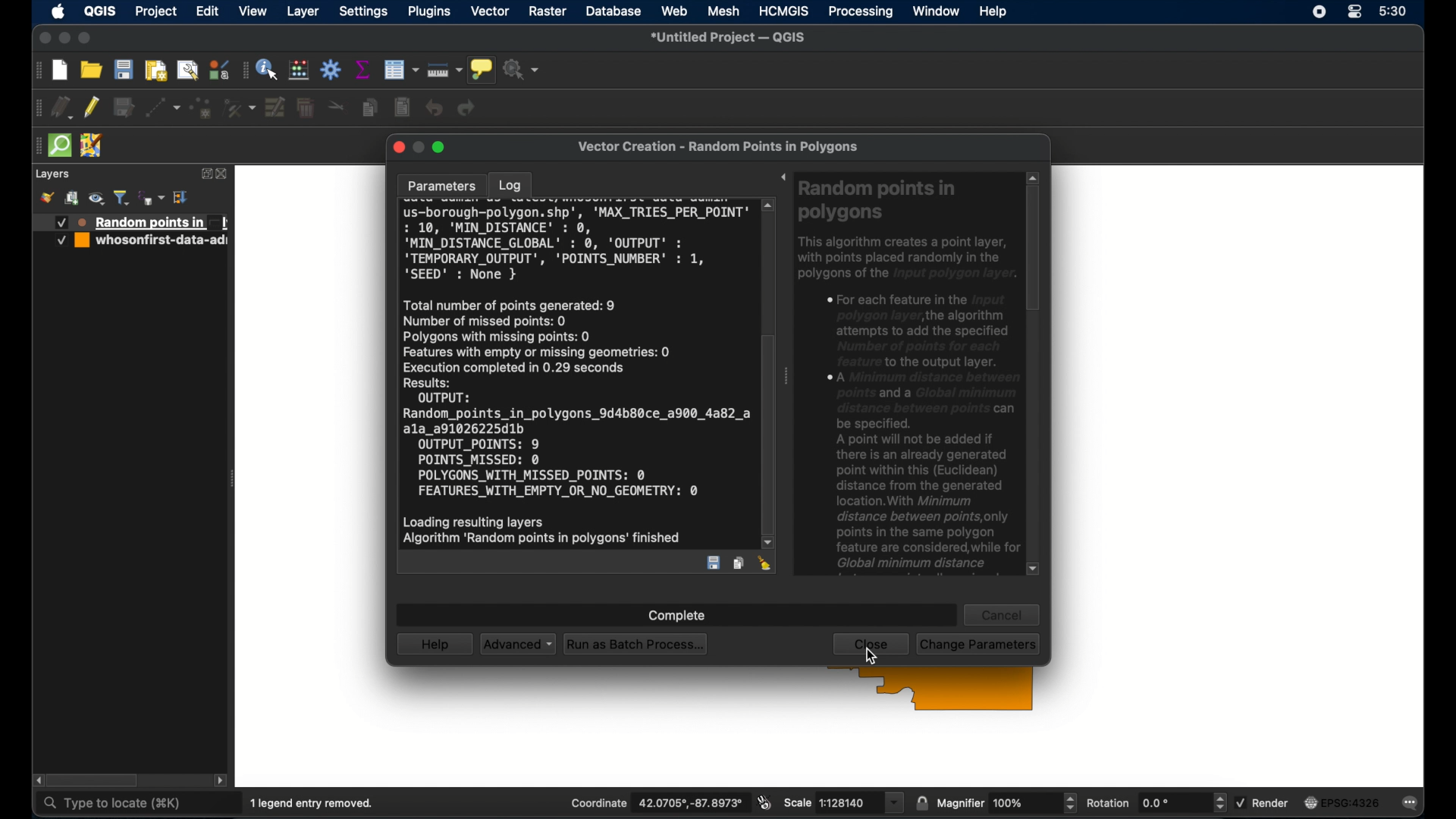 The image size is (1456, 819). I want to click on scroll up arrow, so click(1033, 177).